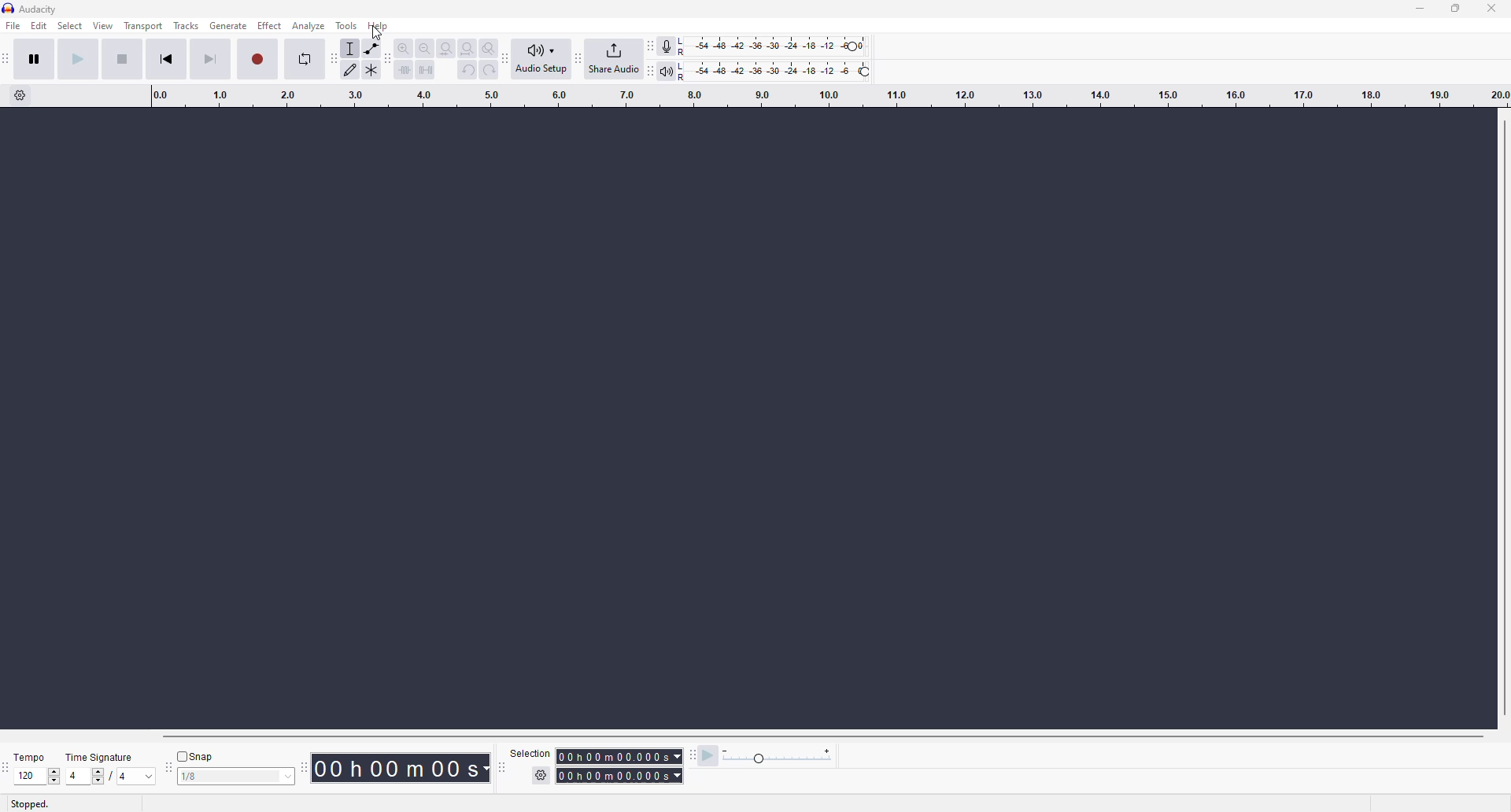  What do you see at coordinates (377, 35) in the screenshot?
I see `cursor` at bounding box center [377, 35].